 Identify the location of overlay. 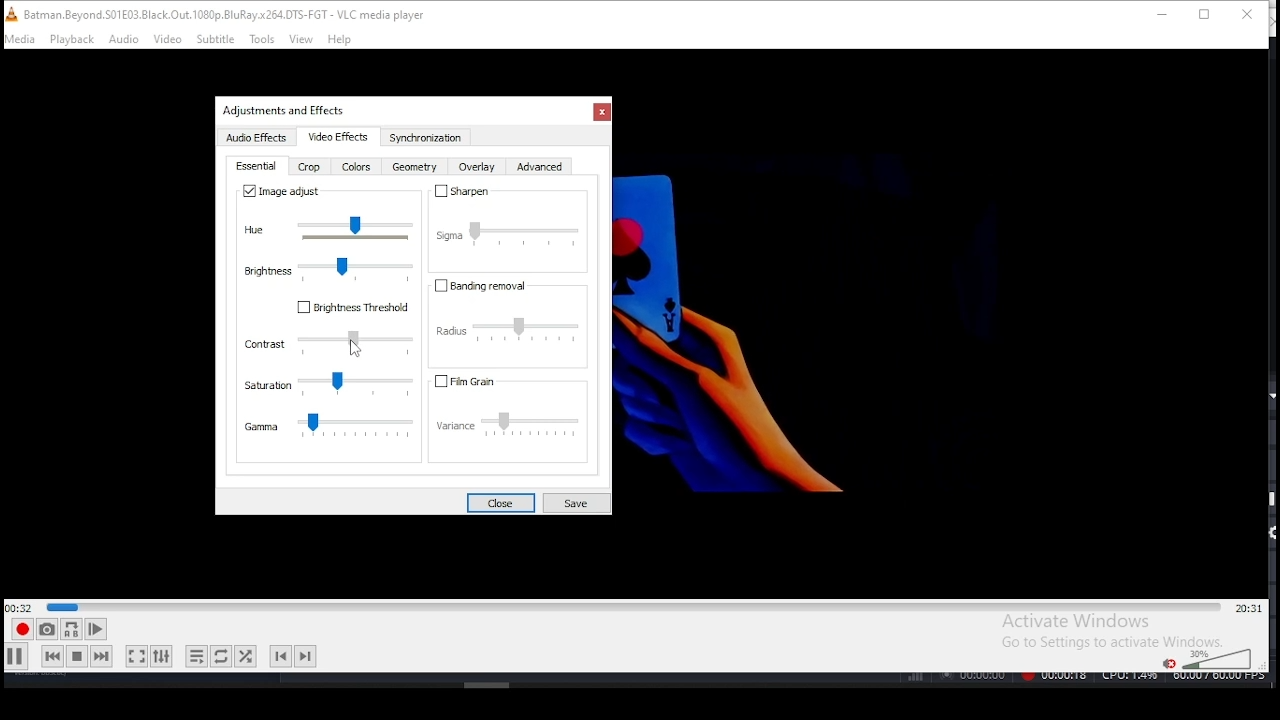
(476, 169).